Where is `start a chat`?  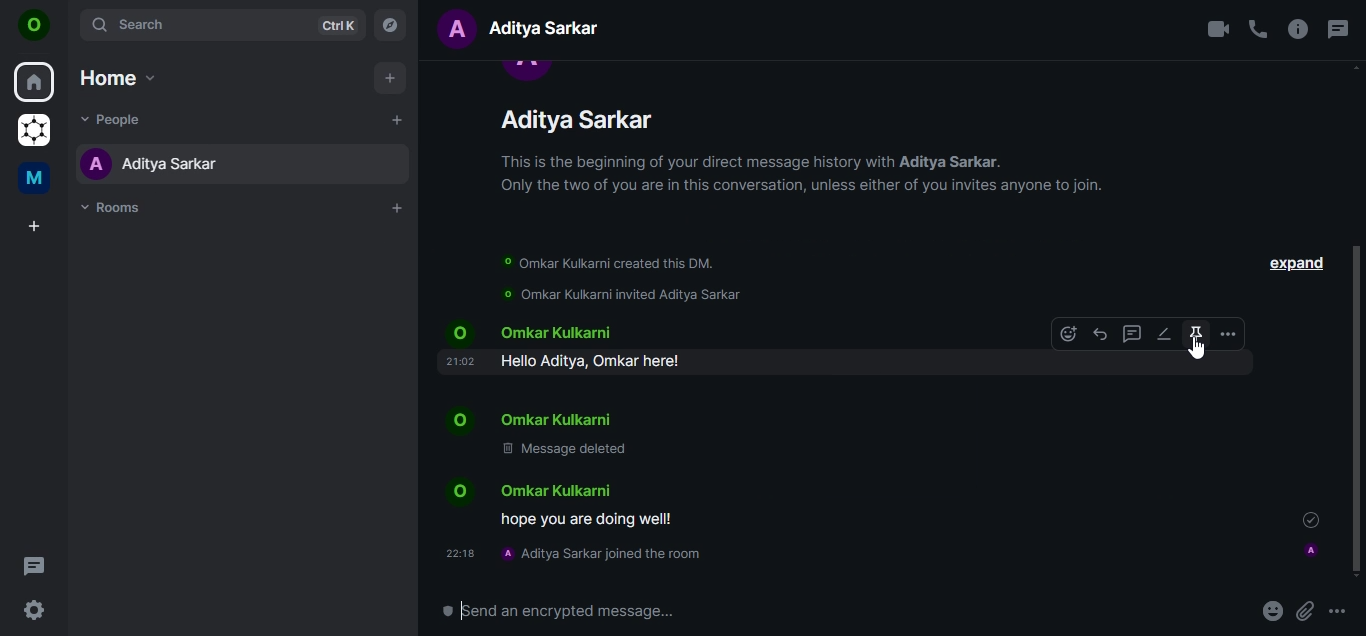
start a chat is located at coordinates (398, 121).